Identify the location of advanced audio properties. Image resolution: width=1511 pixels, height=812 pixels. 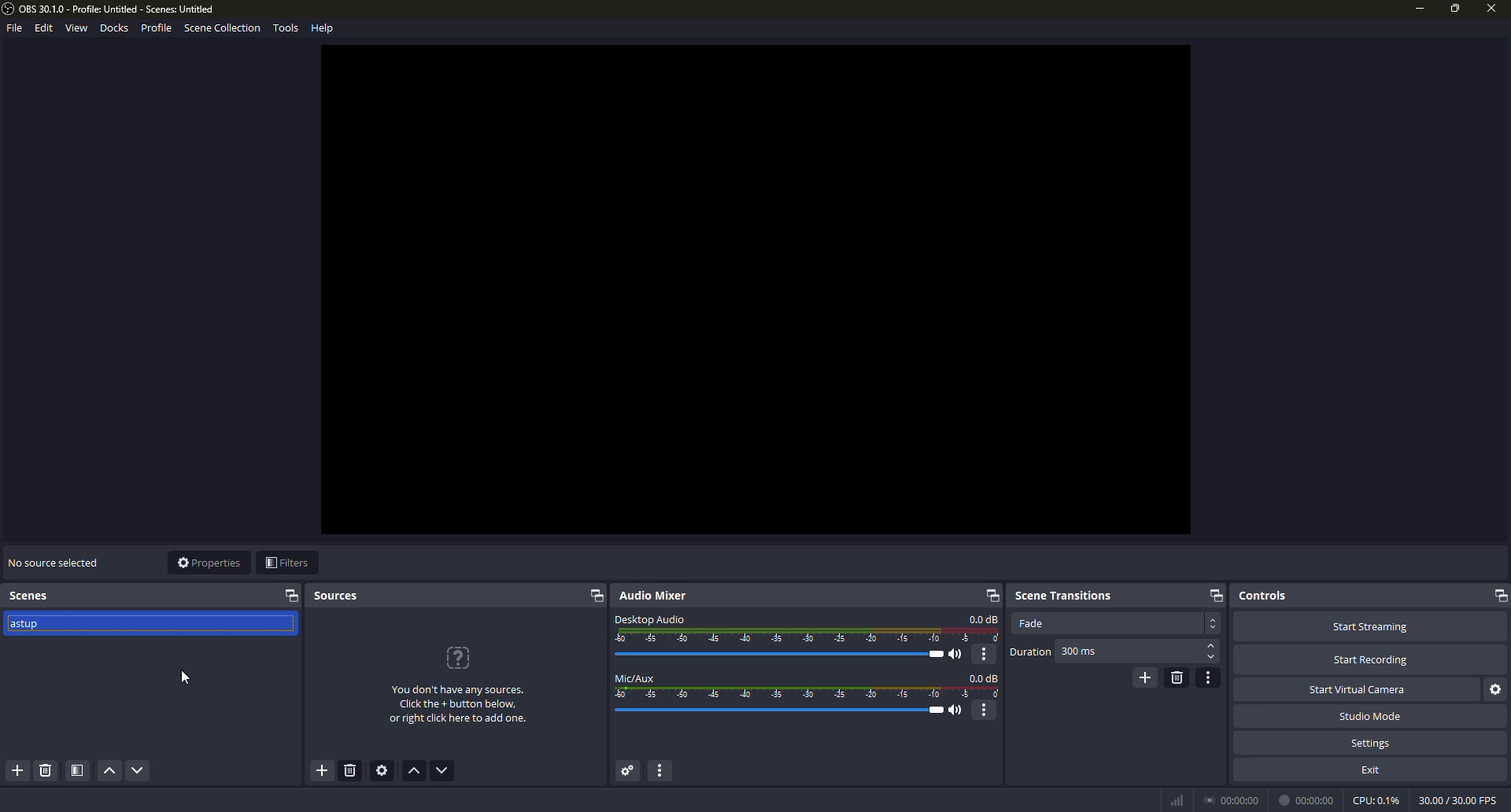
(626, 771).